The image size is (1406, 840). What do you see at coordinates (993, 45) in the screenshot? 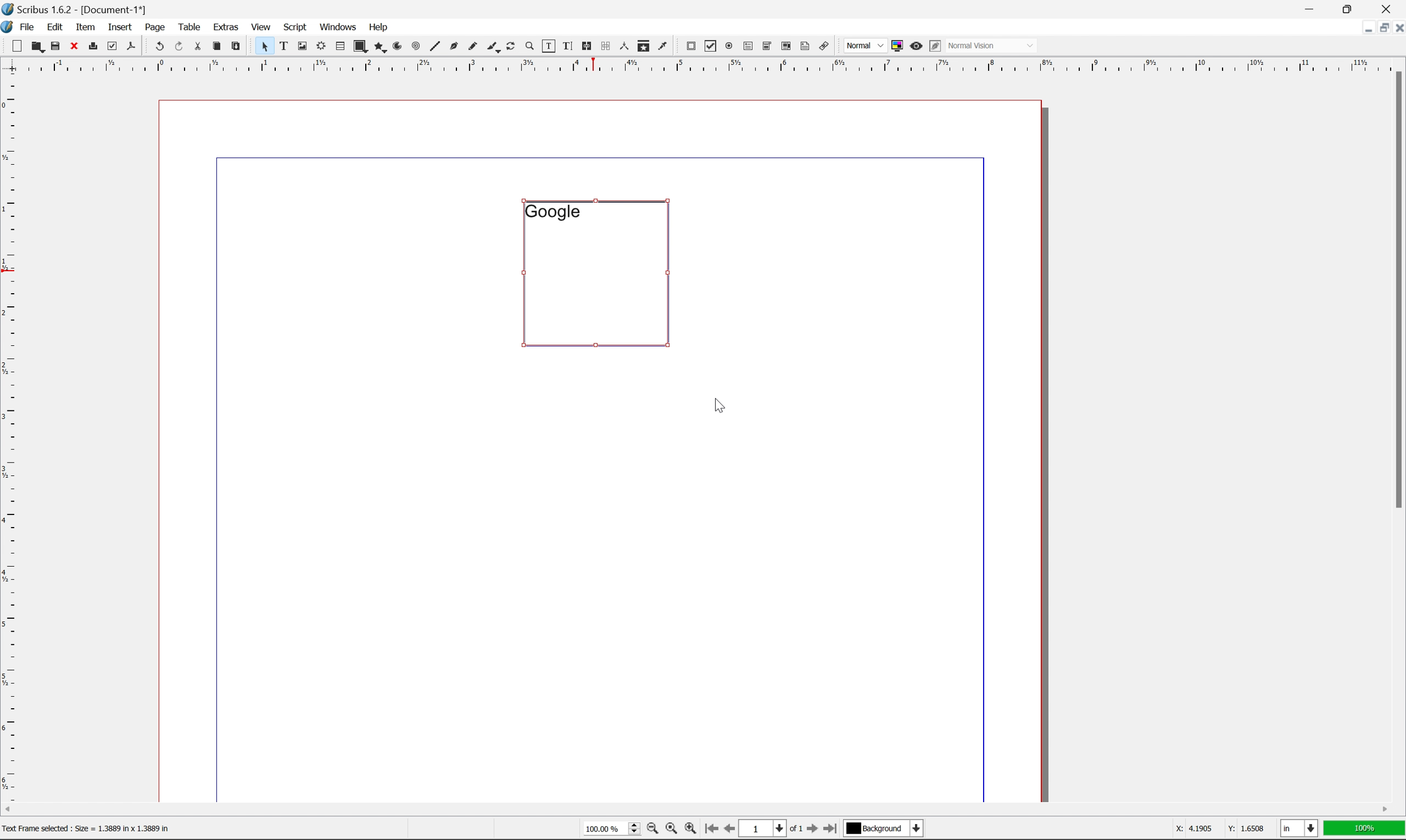
I see `normal vision` at bounding box center [993, 45].